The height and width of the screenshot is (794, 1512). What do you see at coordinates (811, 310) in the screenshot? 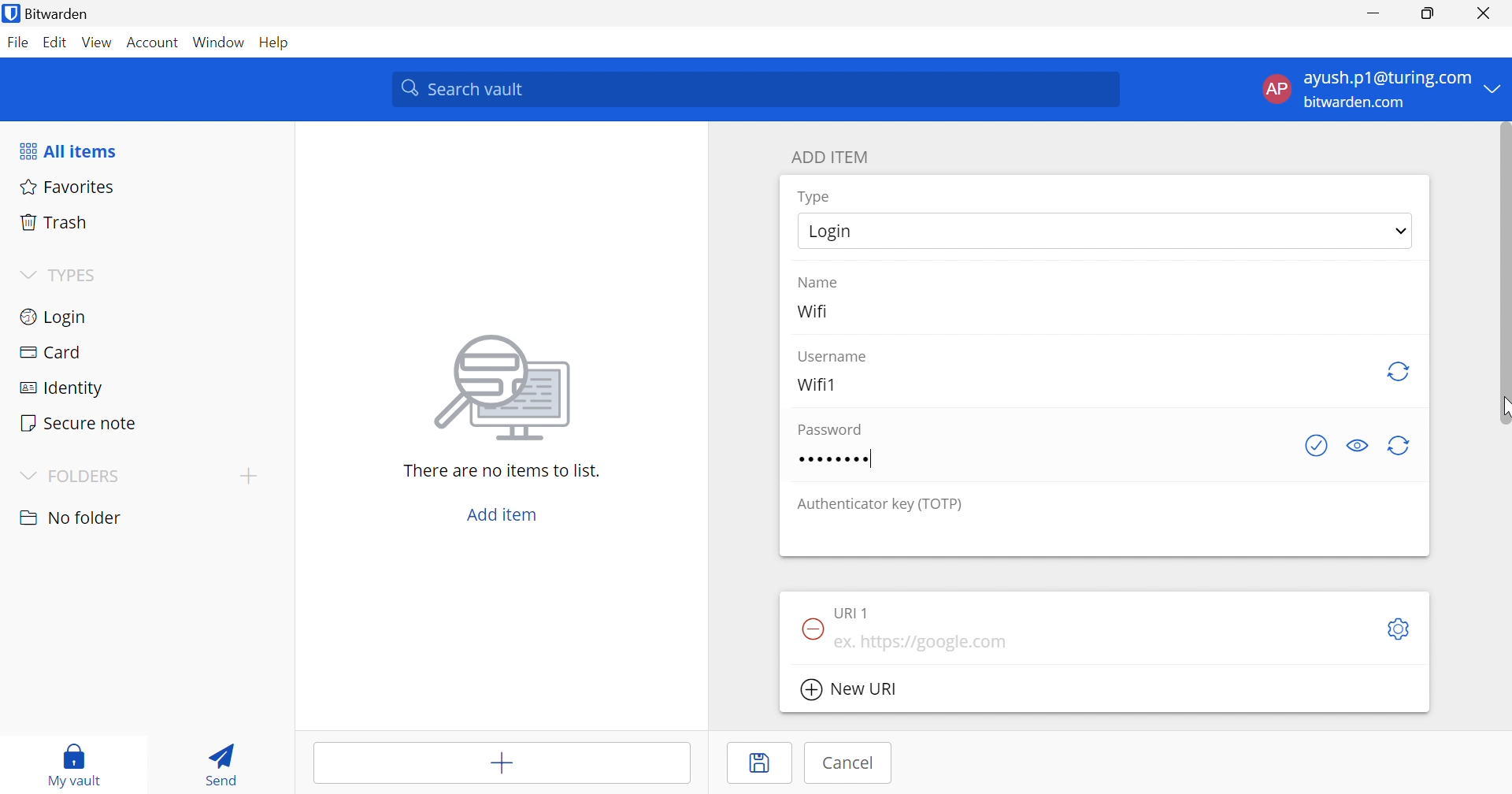
I see `Wifi` at bounding box center [811, 310].